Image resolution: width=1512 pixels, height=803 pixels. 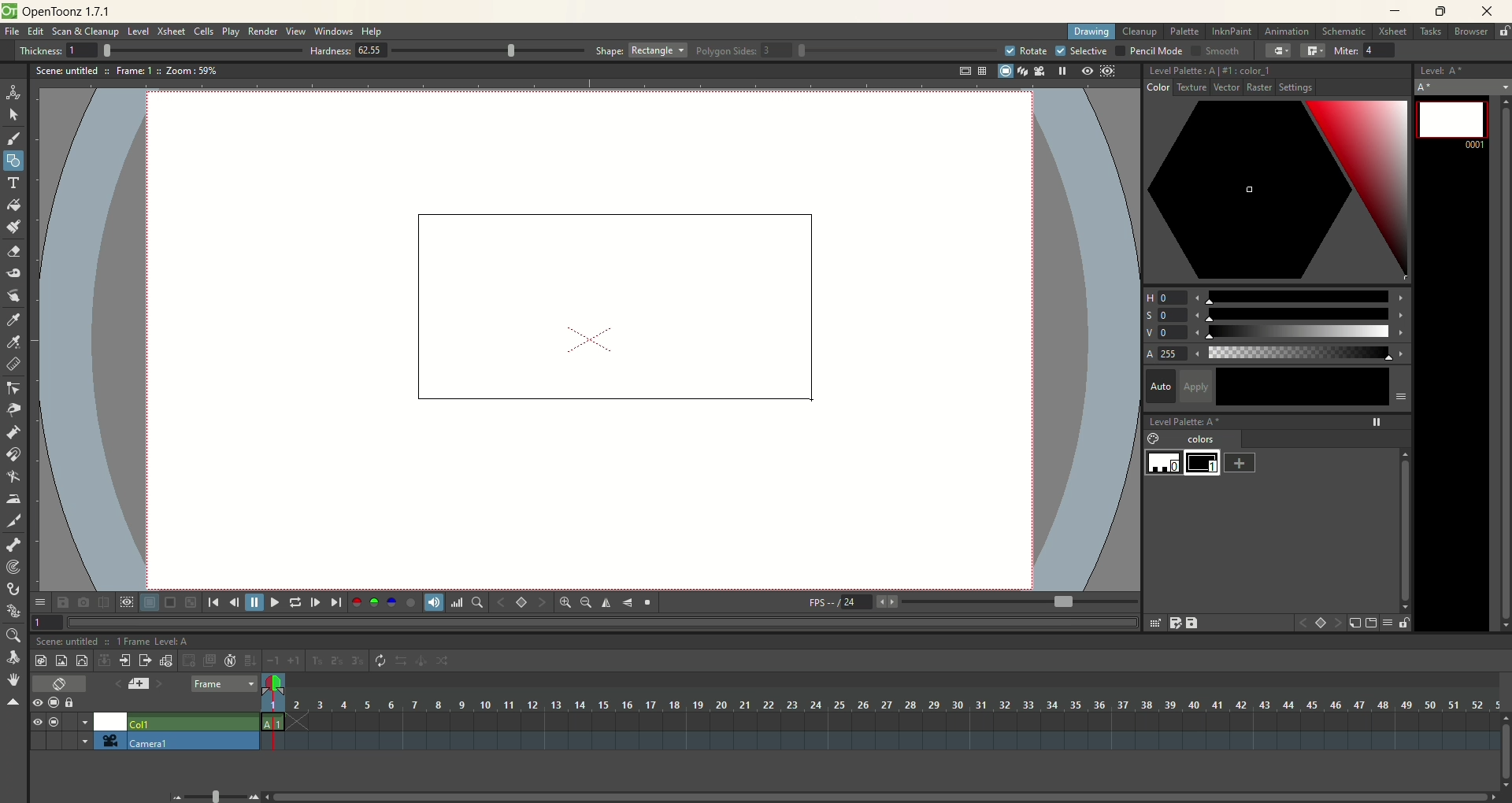 What do you see at coordinates (13, 364) in the screenshot?
I see `ruler editor` at bounding box center [13, 364].